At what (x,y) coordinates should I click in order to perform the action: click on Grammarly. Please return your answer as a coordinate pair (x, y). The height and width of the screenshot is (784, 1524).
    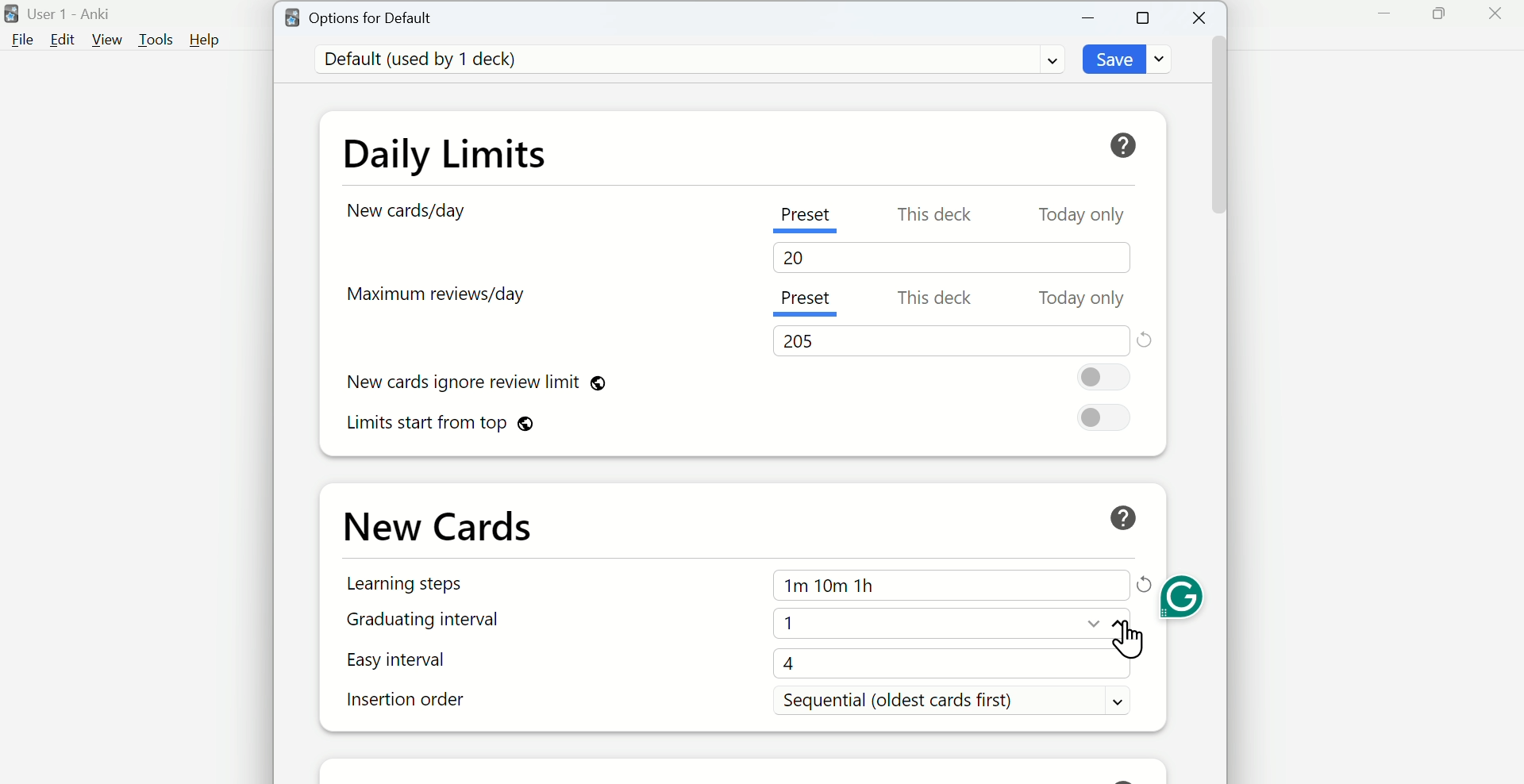
    Looking at the image, I should click on (1187, 598).